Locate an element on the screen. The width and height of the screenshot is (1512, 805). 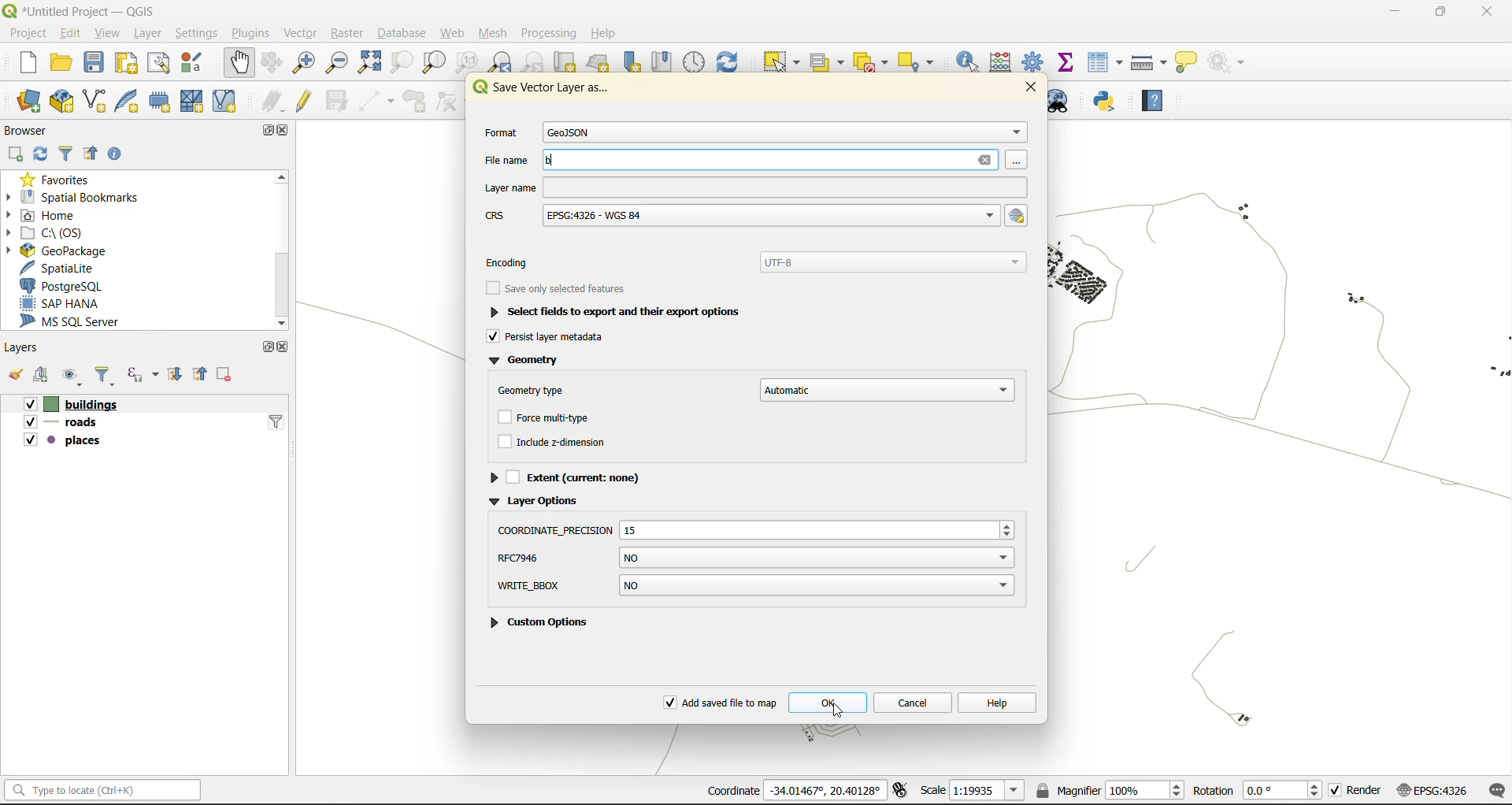
log messages is located at coordinates (1494, 789).